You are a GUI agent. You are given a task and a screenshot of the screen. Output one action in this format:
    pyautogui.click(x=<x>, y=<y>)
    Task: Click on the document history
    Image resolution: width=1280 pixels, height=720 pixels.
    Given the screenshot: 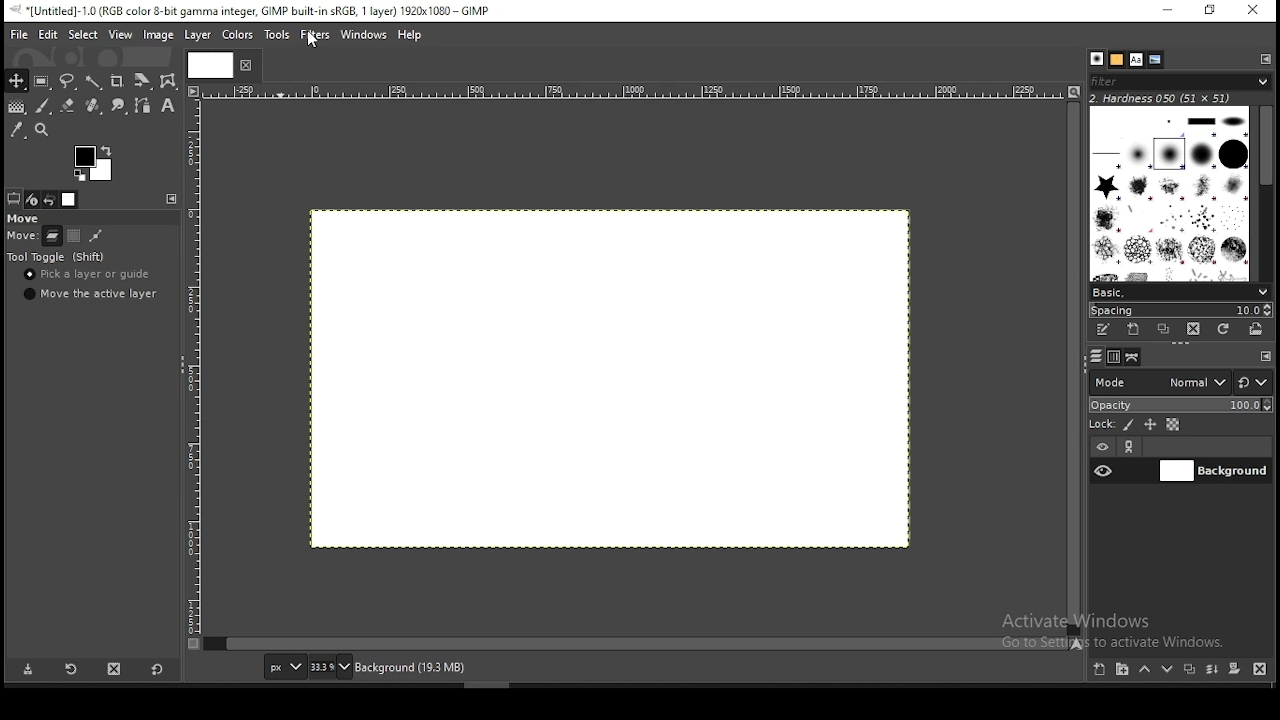 What is the action you would take?
    pyautogui.click(x=1155, y=60)
    